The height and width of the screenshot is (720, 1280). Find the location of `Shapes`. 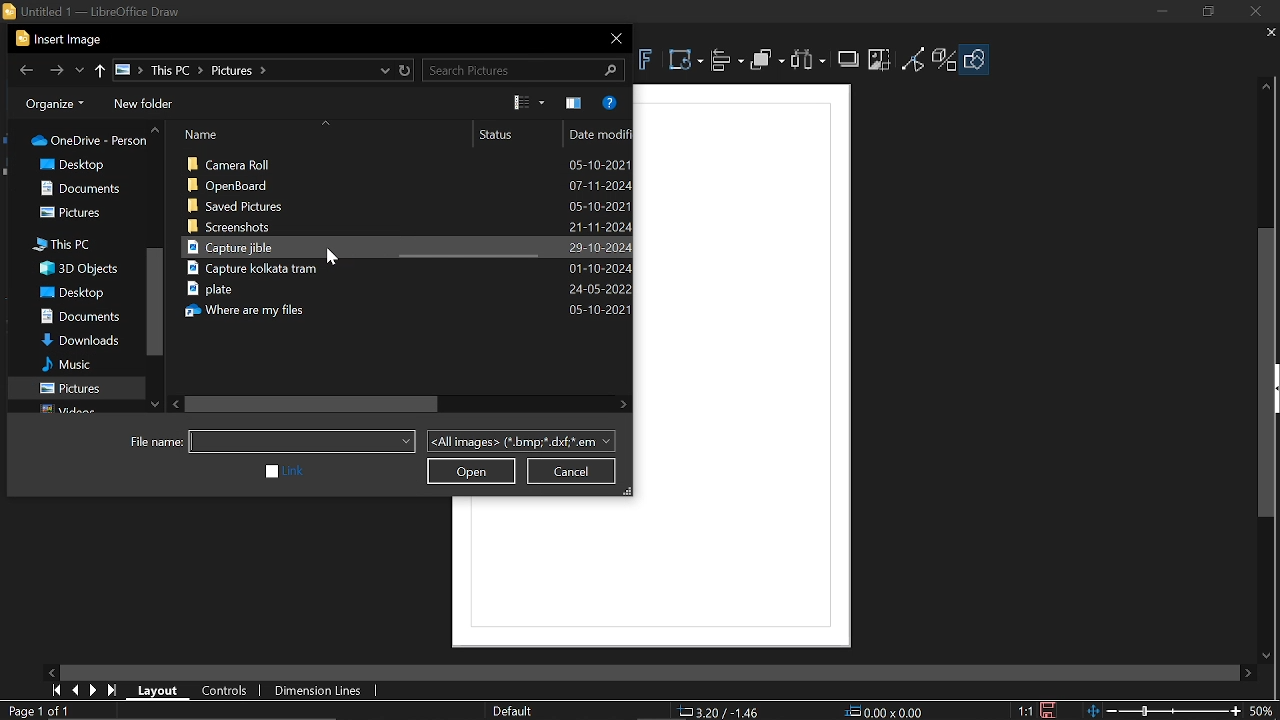

Shapes is located at coordinates (978, 59).